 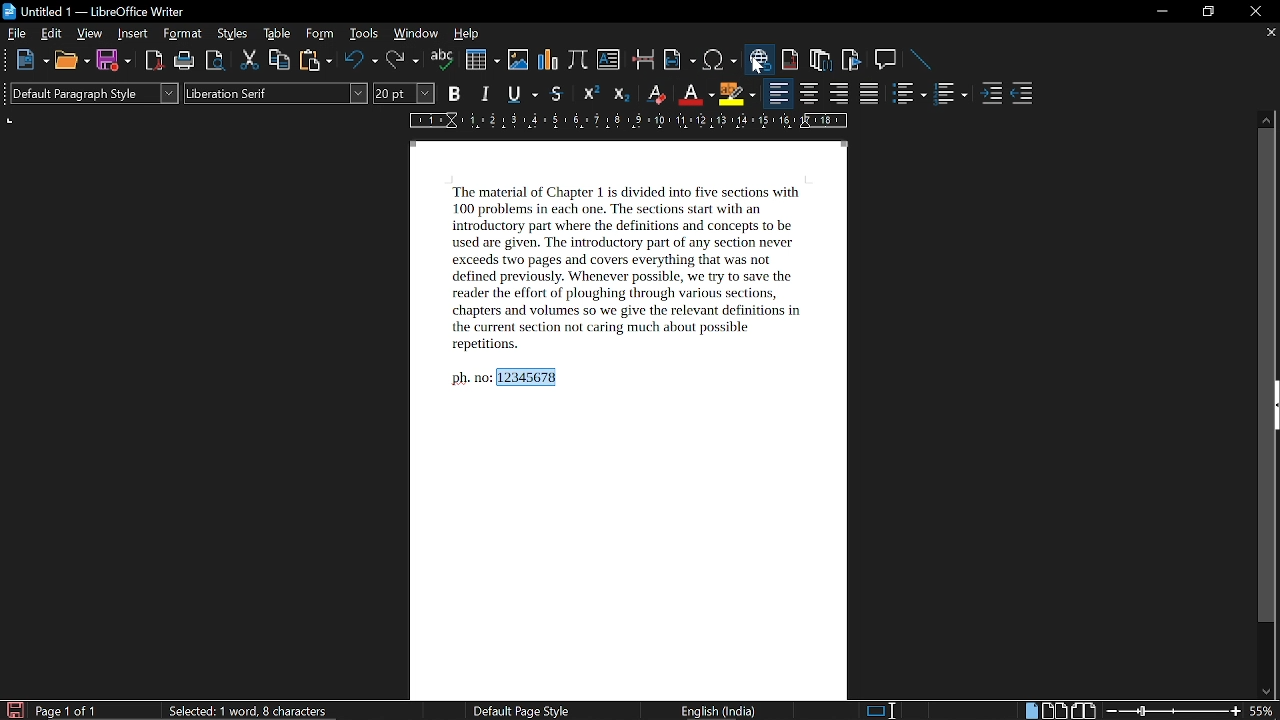 What do you see at coordinates (678, 60) in the screenshot?
I see `insert field` at bounding box center [678, 60].